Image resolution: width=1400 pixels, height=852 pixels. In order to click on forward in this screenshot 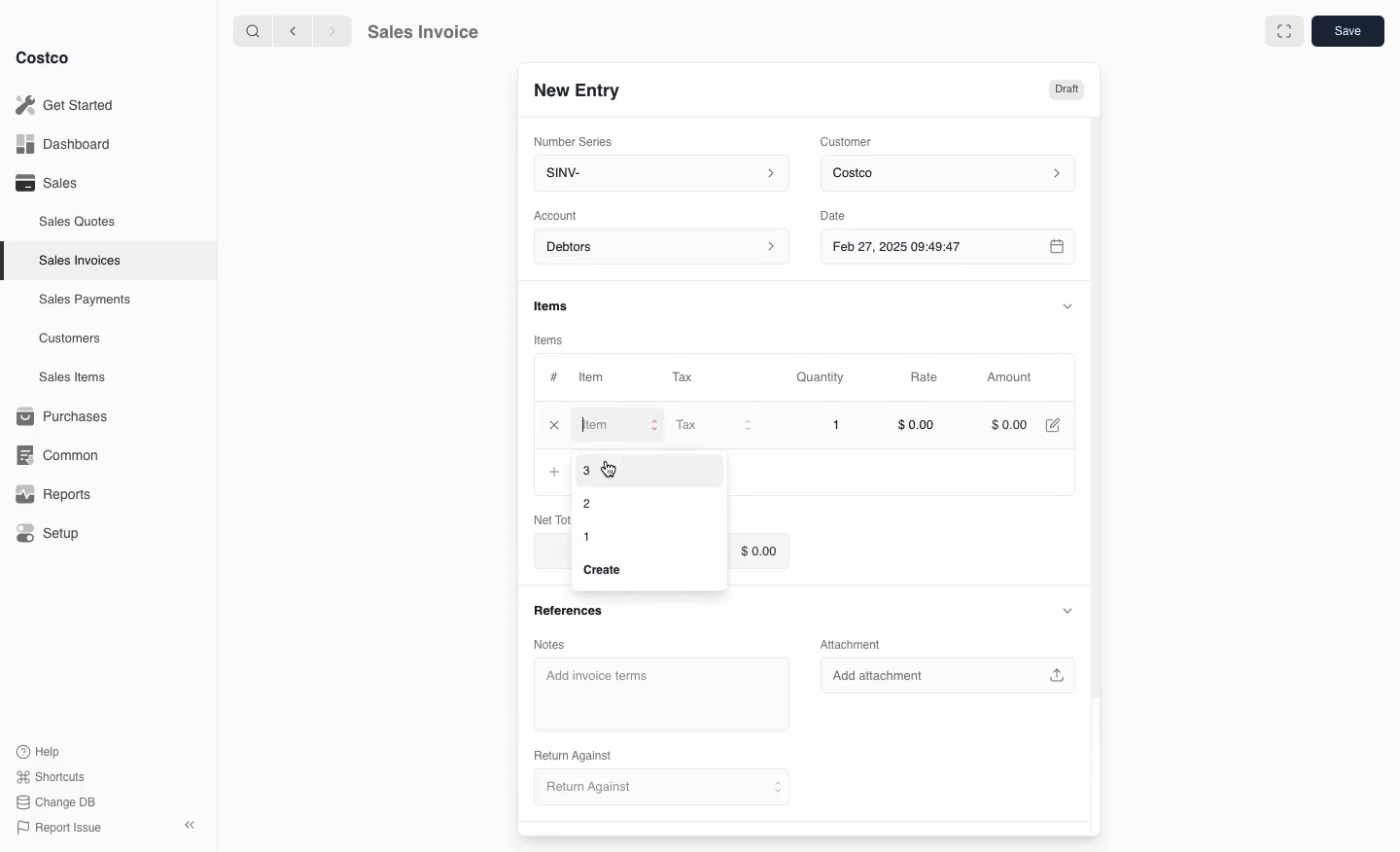, I will do `click(330, 30)`.